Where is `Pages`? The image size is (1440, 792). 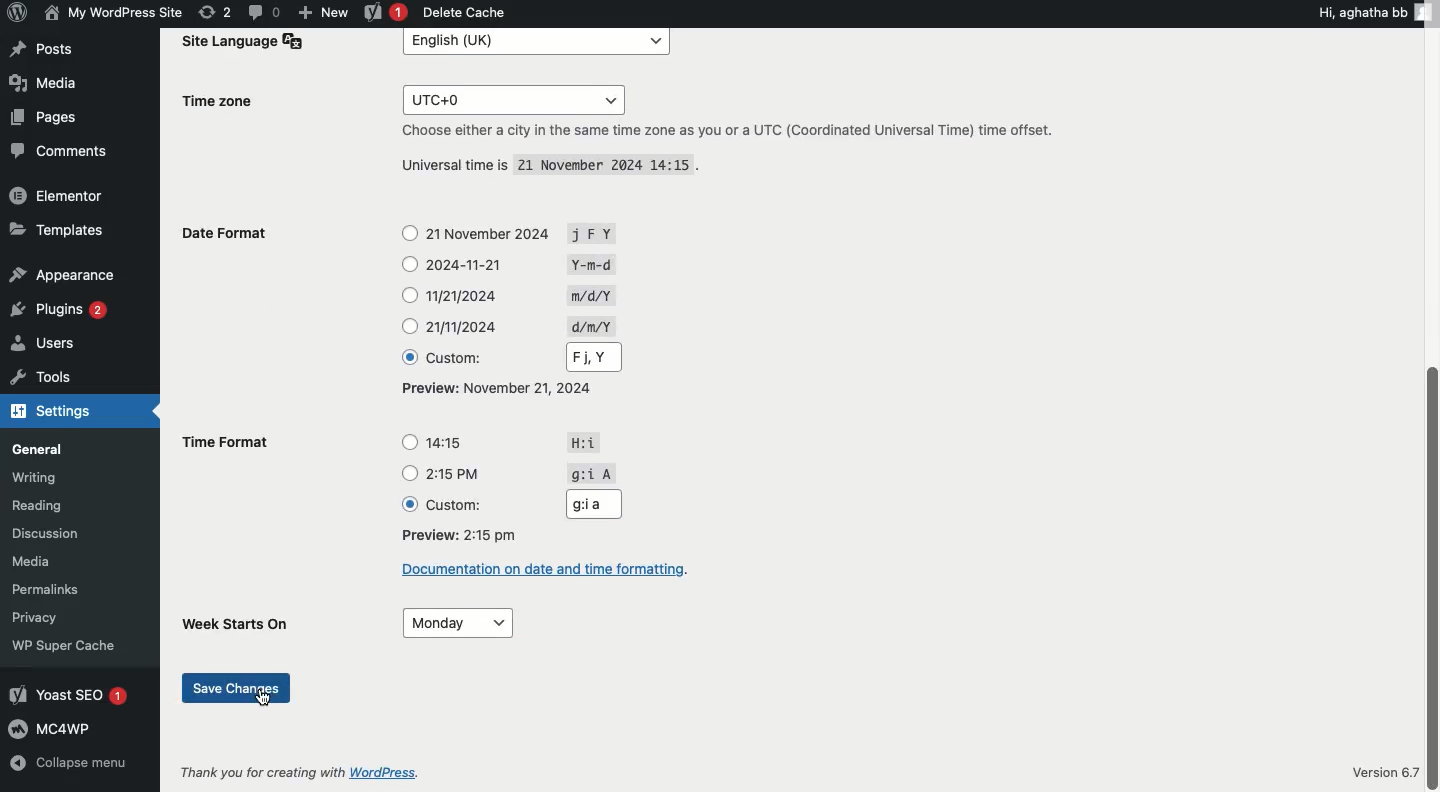 Pages is located at coordinates (45, 120).